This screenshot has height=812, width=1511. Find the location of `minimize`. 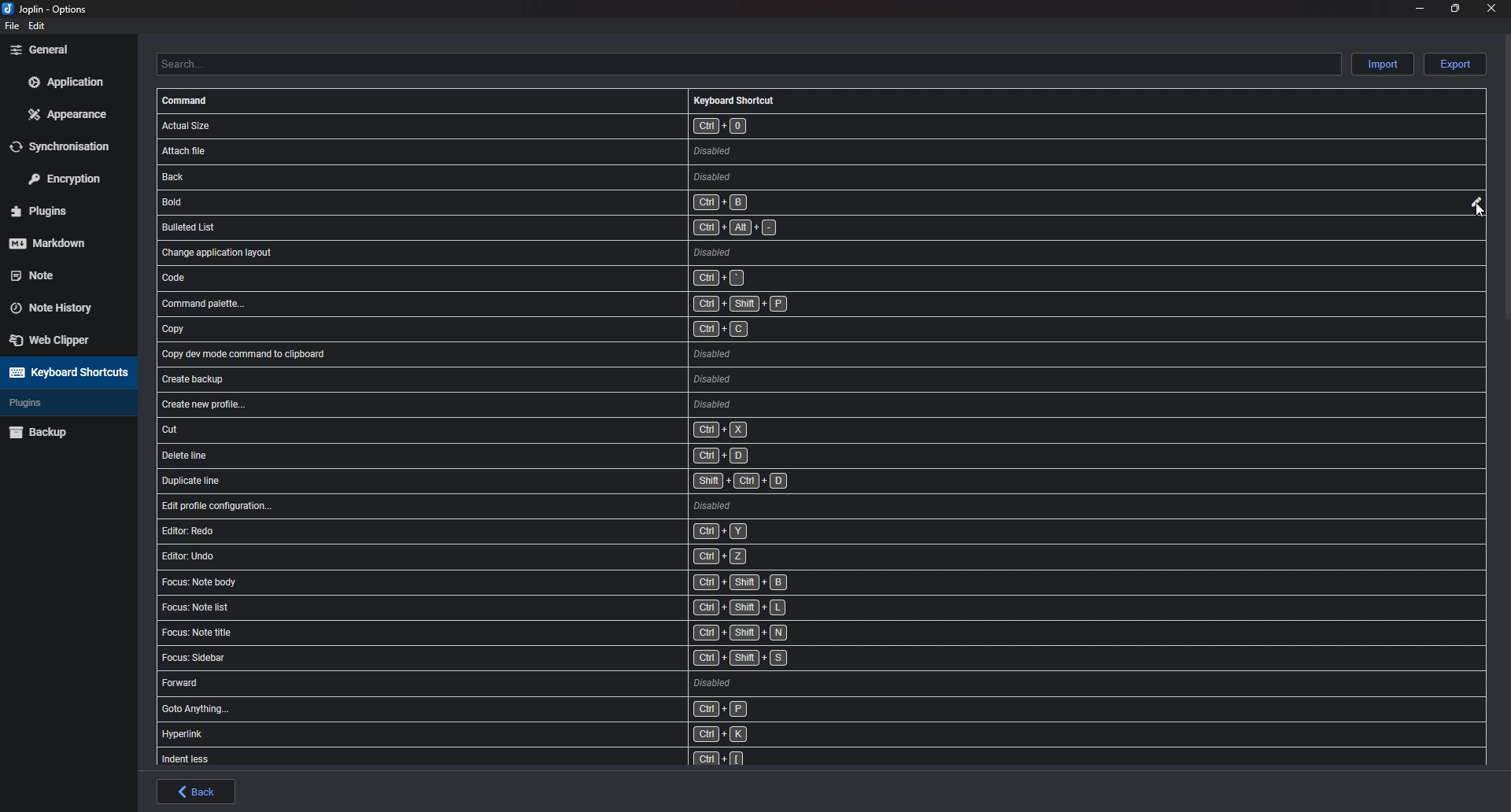

minimize is located at coordinates (1420, 7).